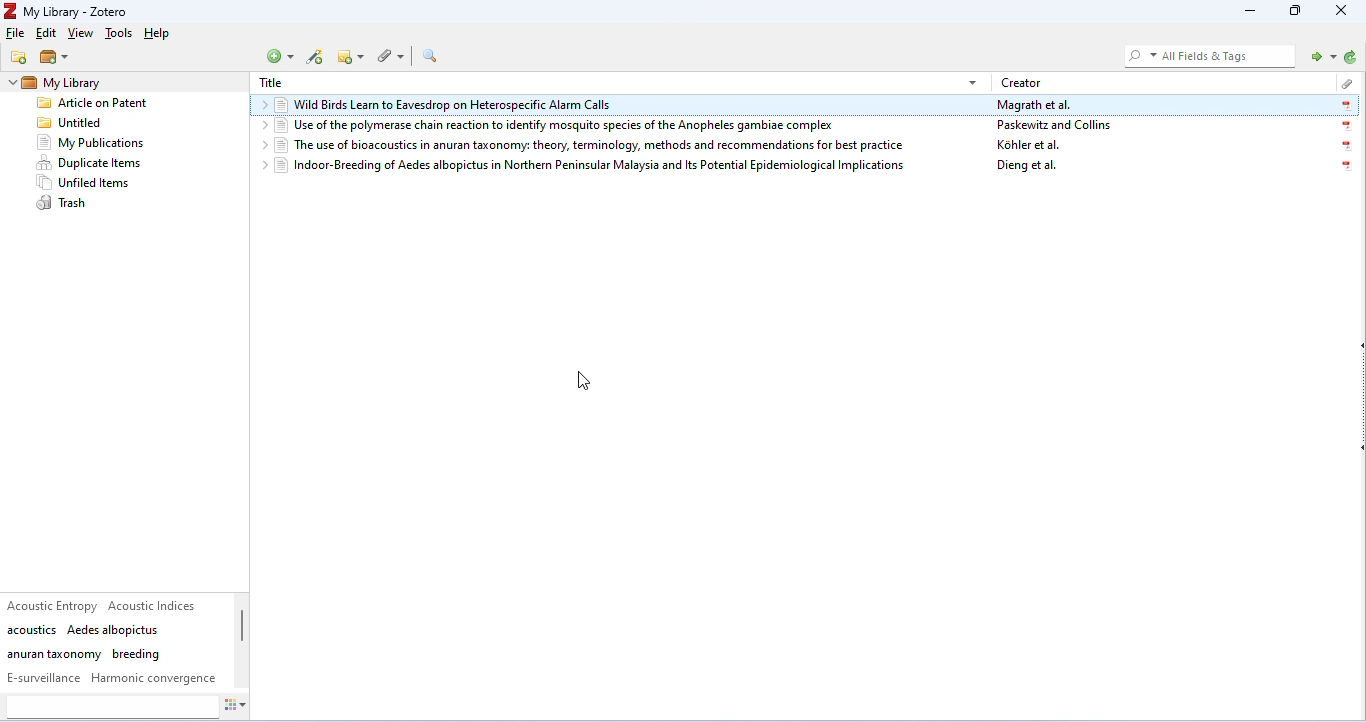 This screenshot has width=1366, height=722. I want to click on cursor, so click(588, 377).